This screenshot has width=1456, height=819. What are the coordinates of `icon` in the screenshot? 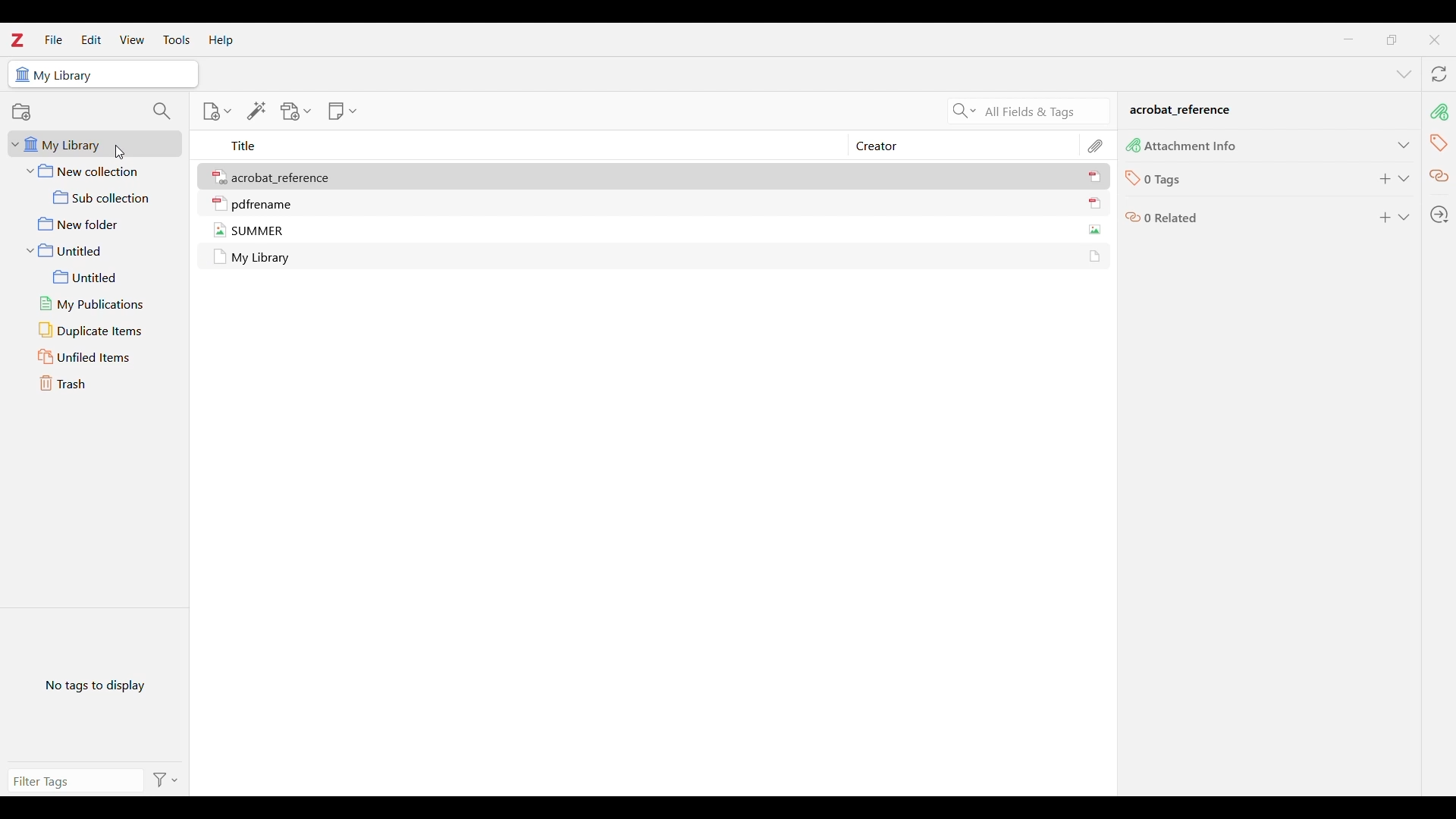 It's located at (1094, 256).